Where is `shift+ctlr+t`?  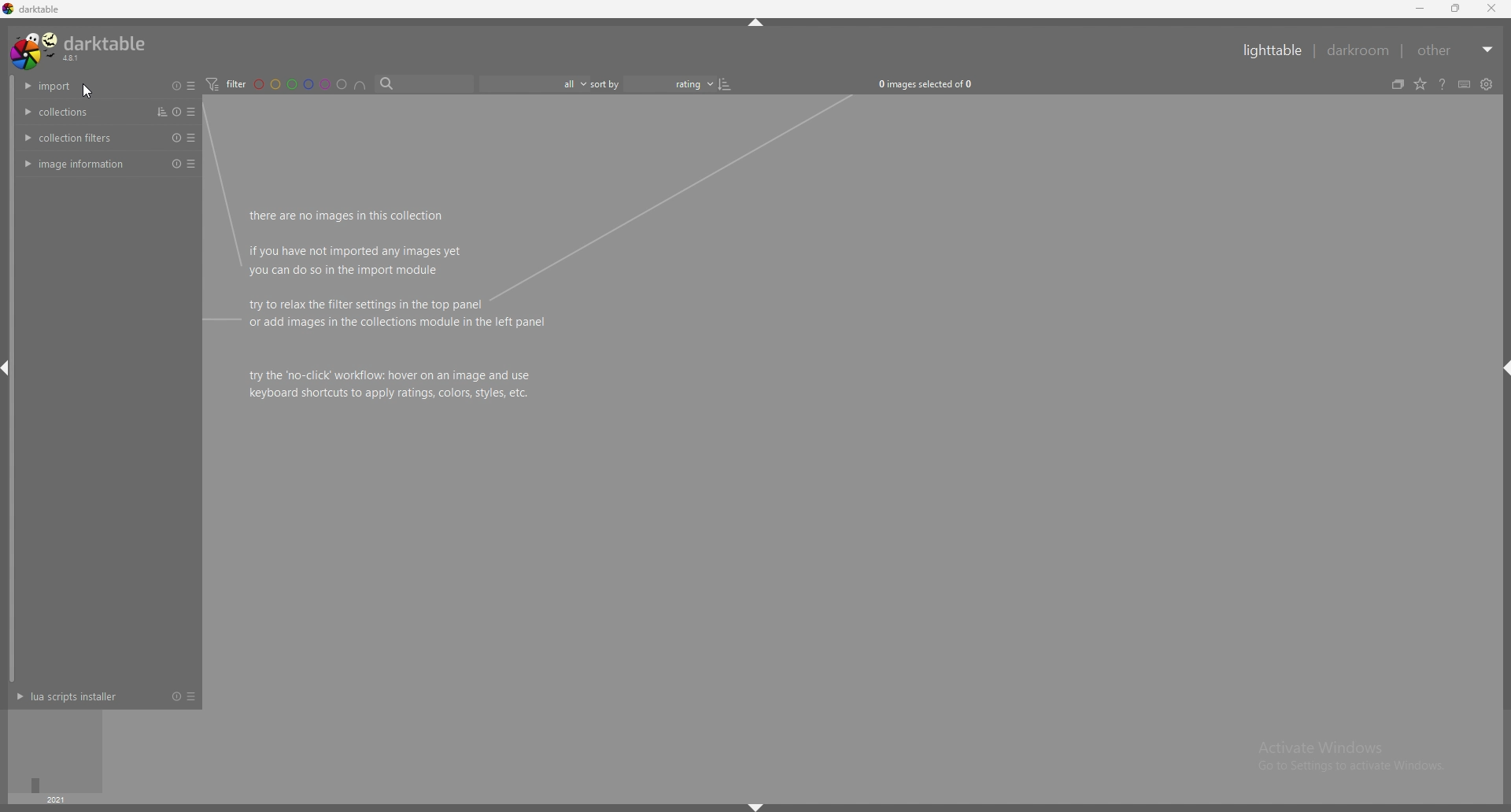
shift+ctlr+t is located at coordinates (758, 22).